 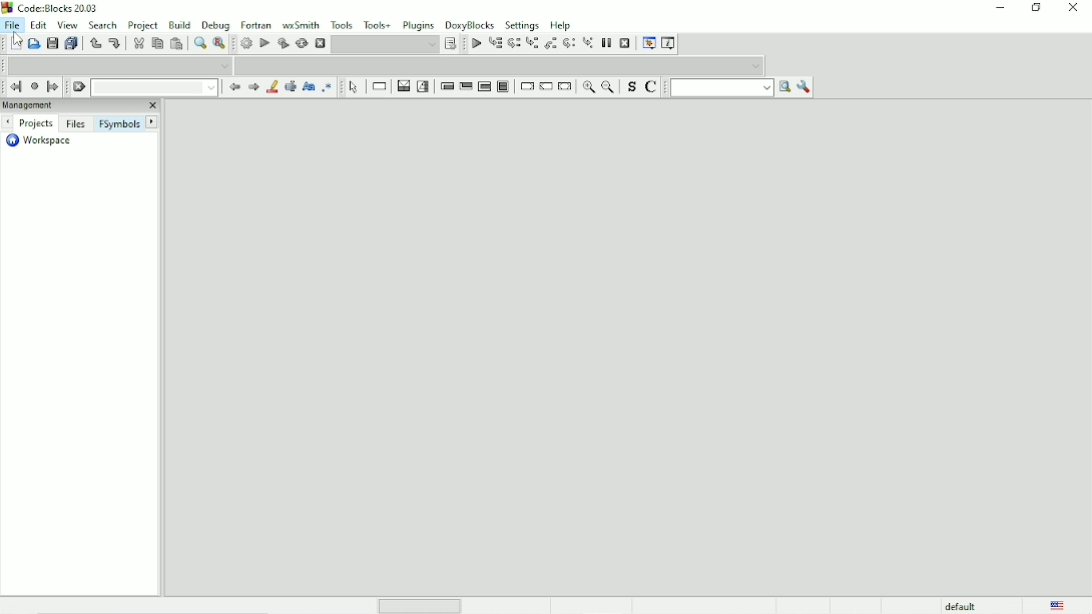 I want to click on FSymbols, so click(x=119, y=124).